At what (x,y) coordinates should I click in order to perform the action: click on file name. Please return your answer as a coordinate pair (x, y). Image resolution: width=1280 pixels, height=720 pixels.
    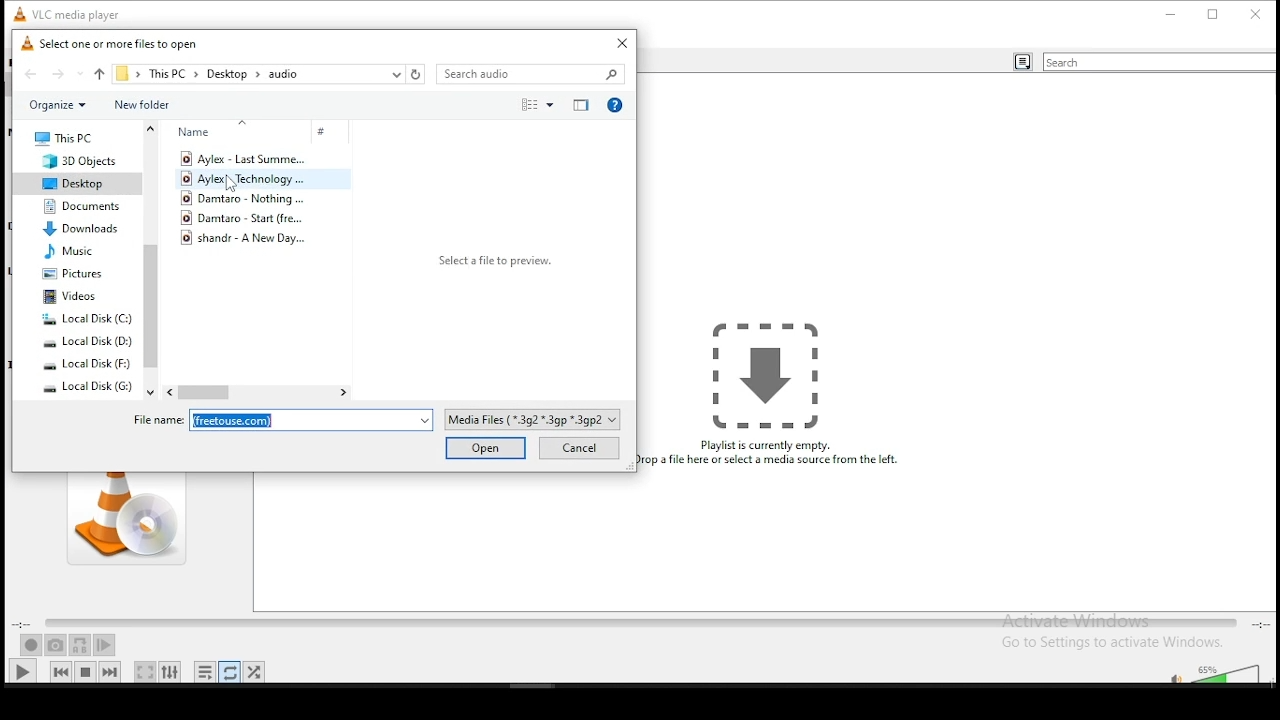
    Looking at the image, I should click on (281, 421).